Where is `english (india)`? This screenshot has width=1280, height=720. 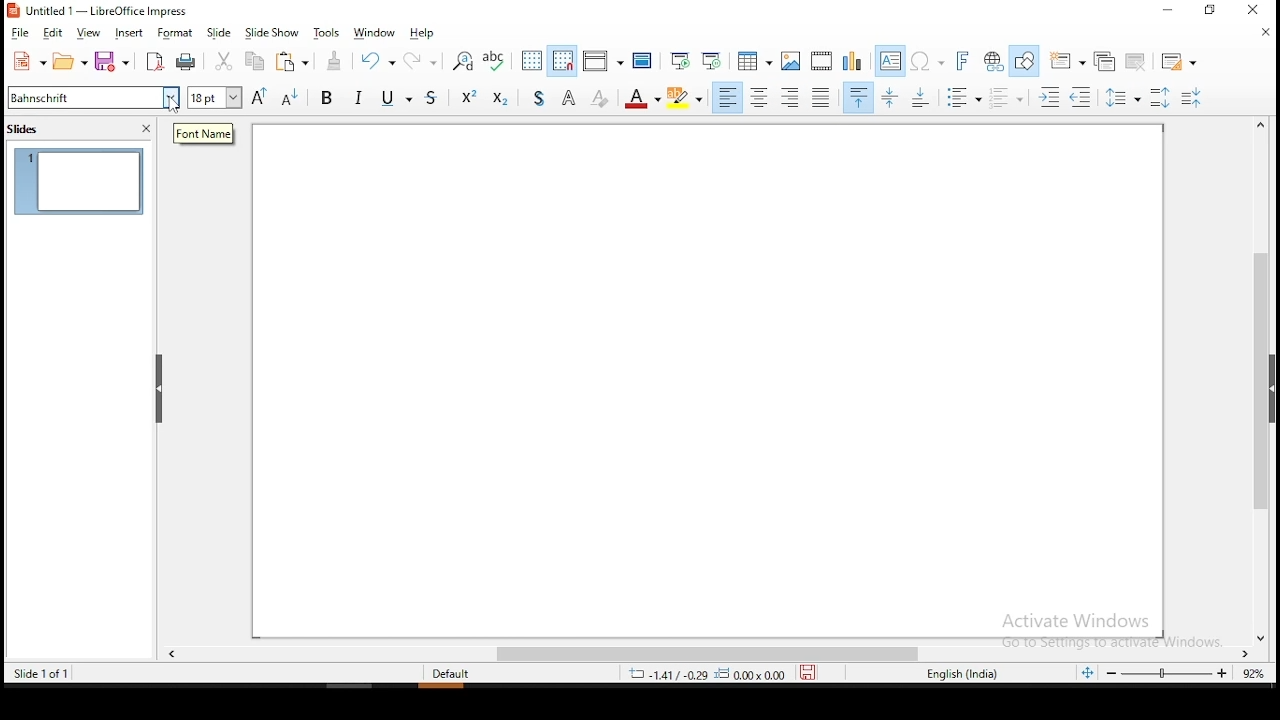 english (india) is located at coordinates (962, 675).